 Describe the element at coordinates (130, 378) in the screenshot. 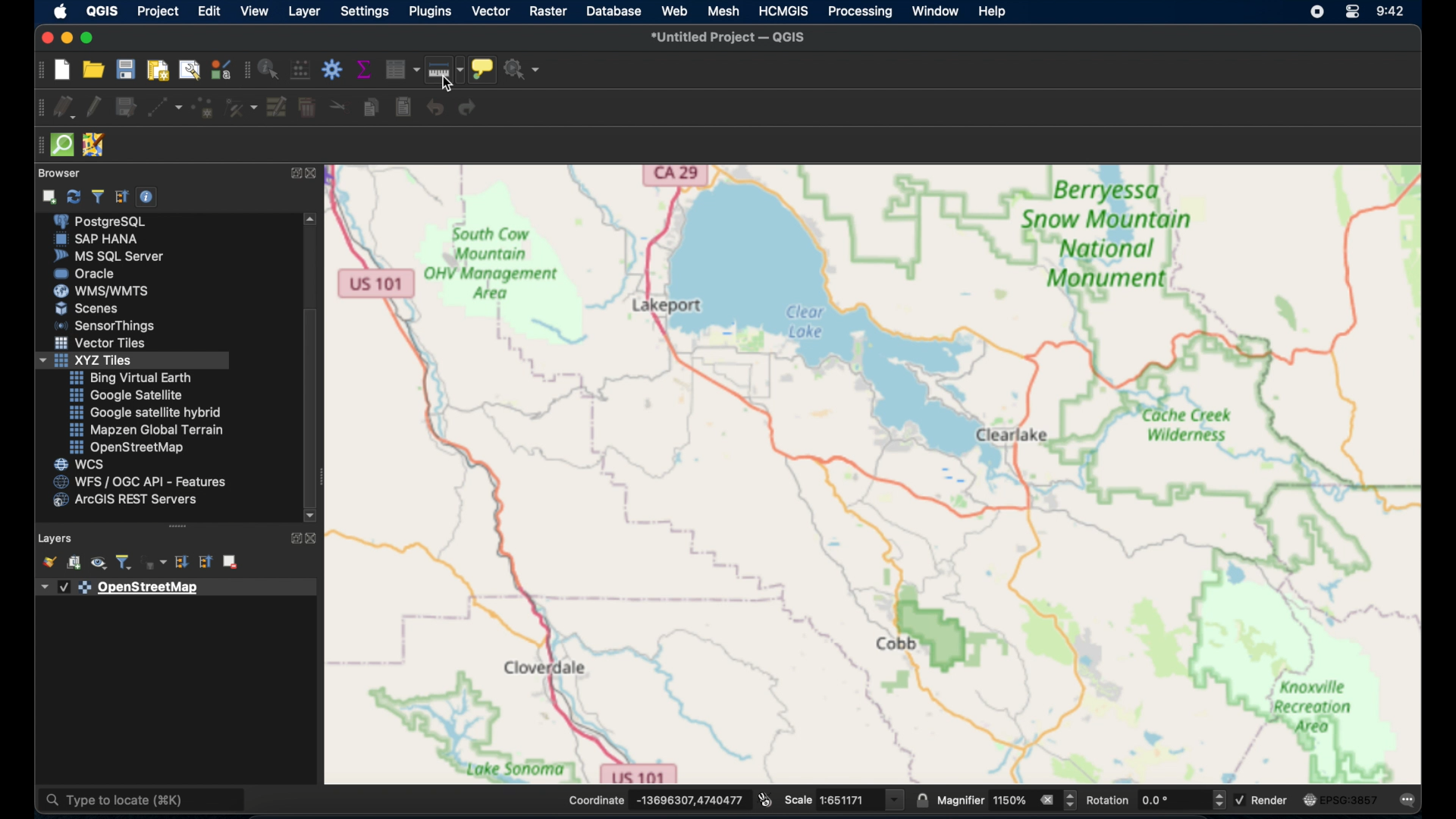

I see `bing virtual earth` at that location.